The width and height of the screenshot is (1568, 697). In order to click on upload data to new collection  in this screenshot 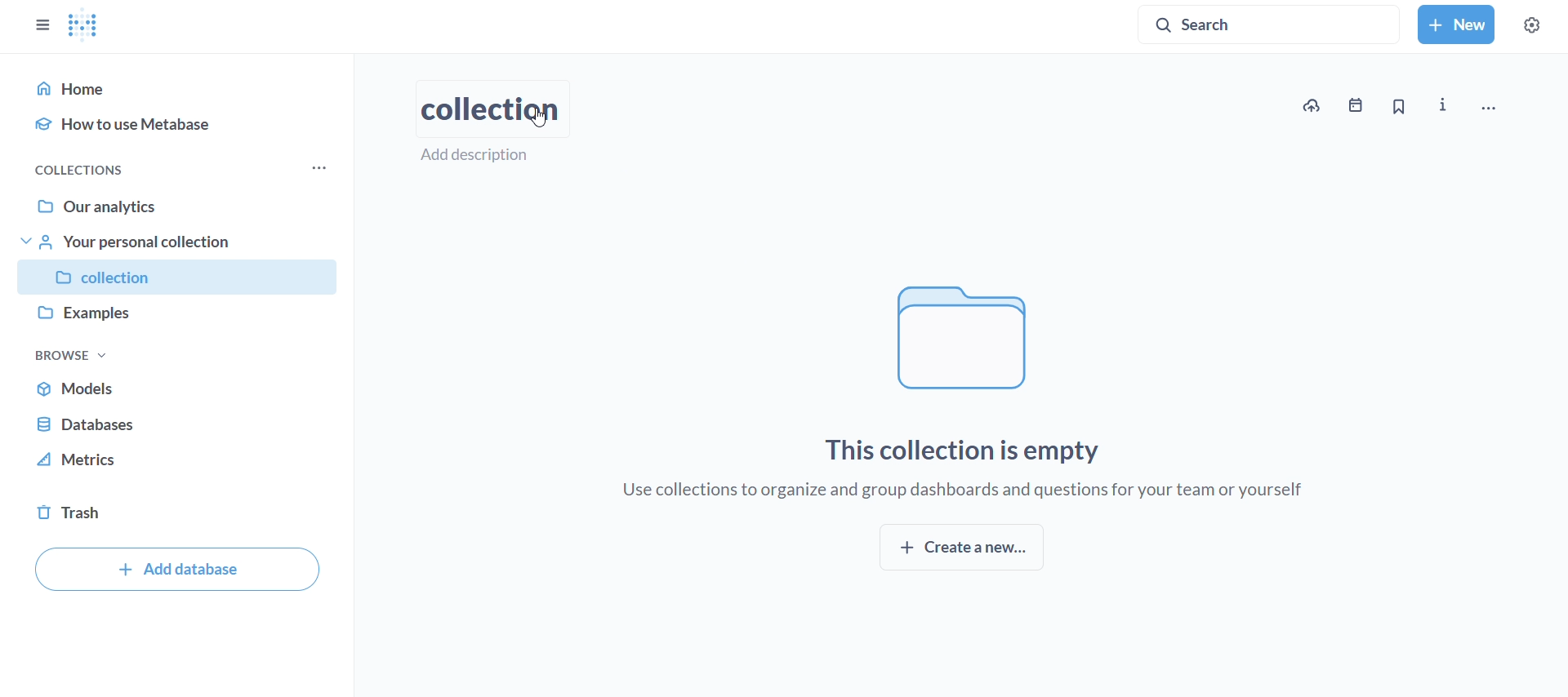, I will do `click(1311, 106)`.